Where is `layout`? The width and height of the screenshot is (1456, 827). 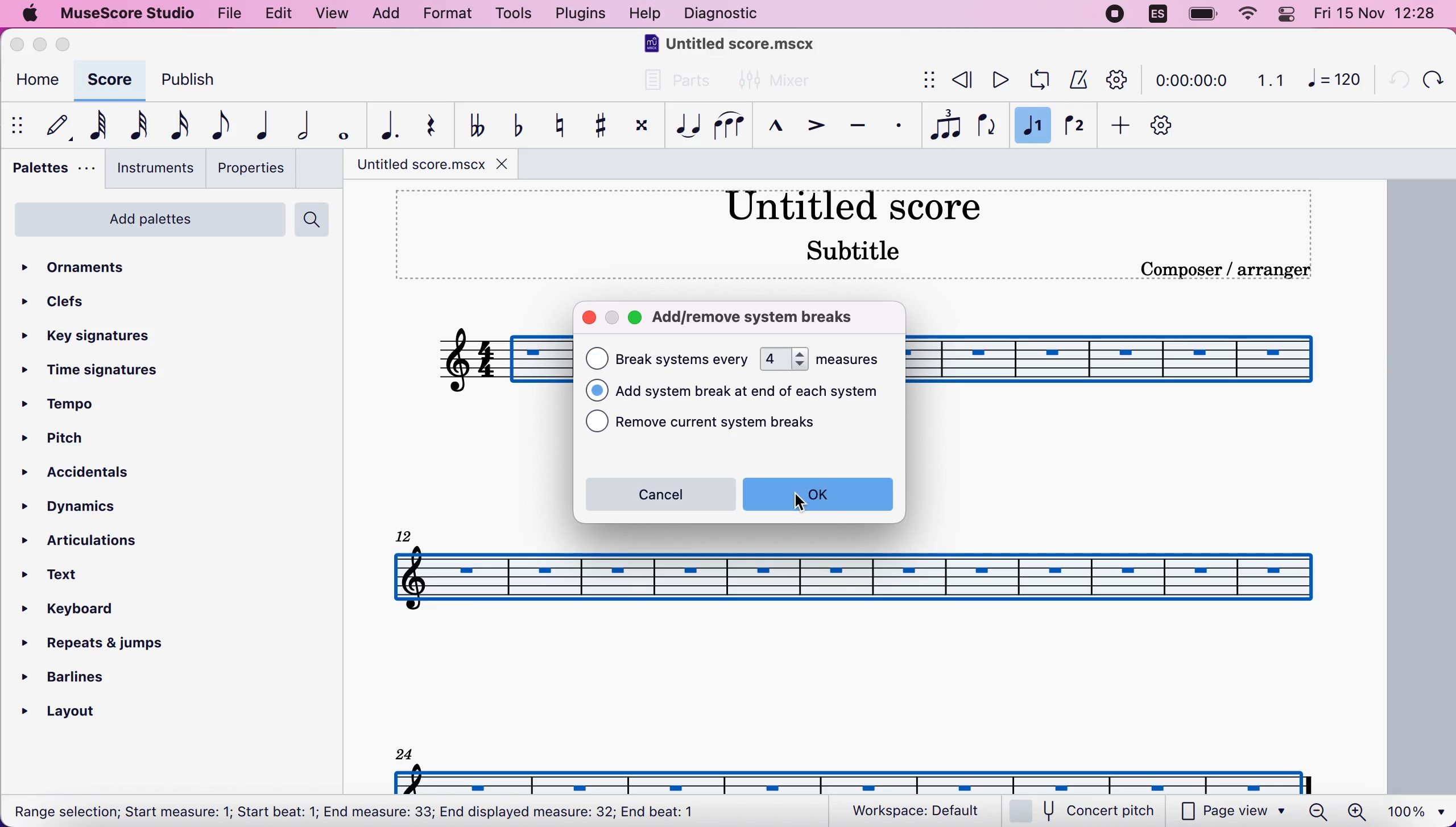
layout is located at coordinates (74, 708).